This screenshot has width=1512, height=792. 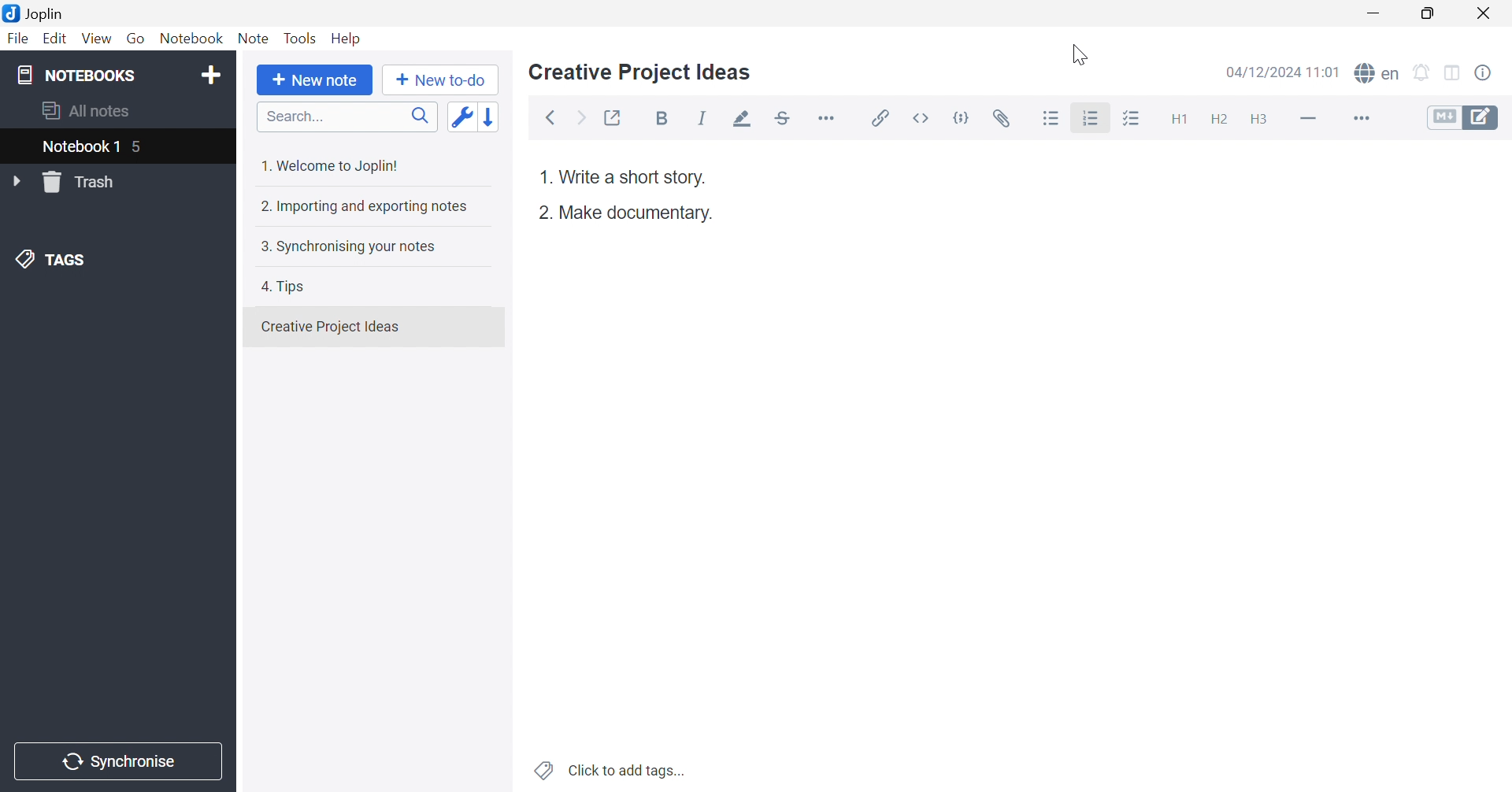 I want to click on Heading 2, so click(x=1221, y=121).